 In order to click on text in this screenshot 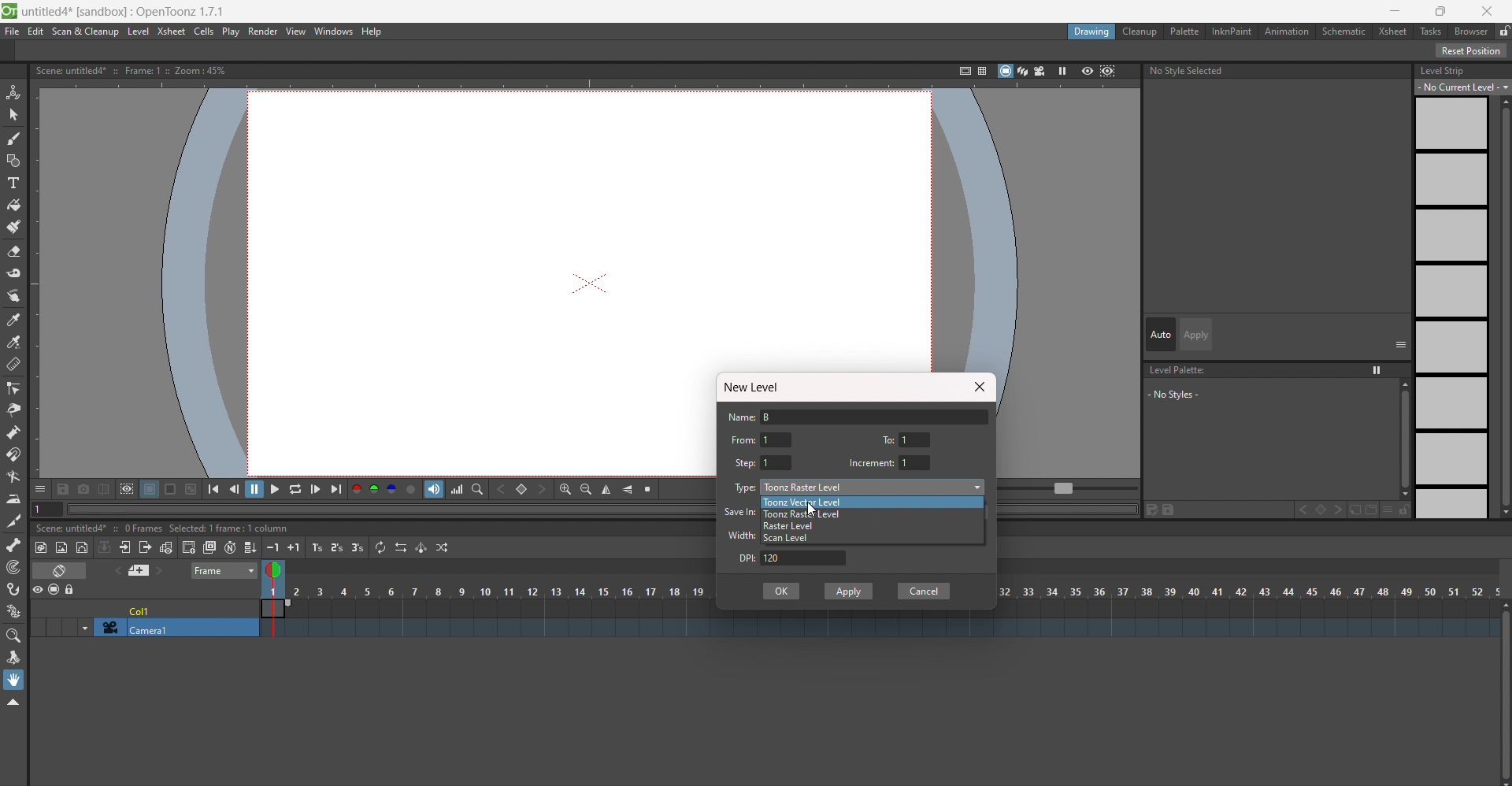, I will do `click(135, 70)`.